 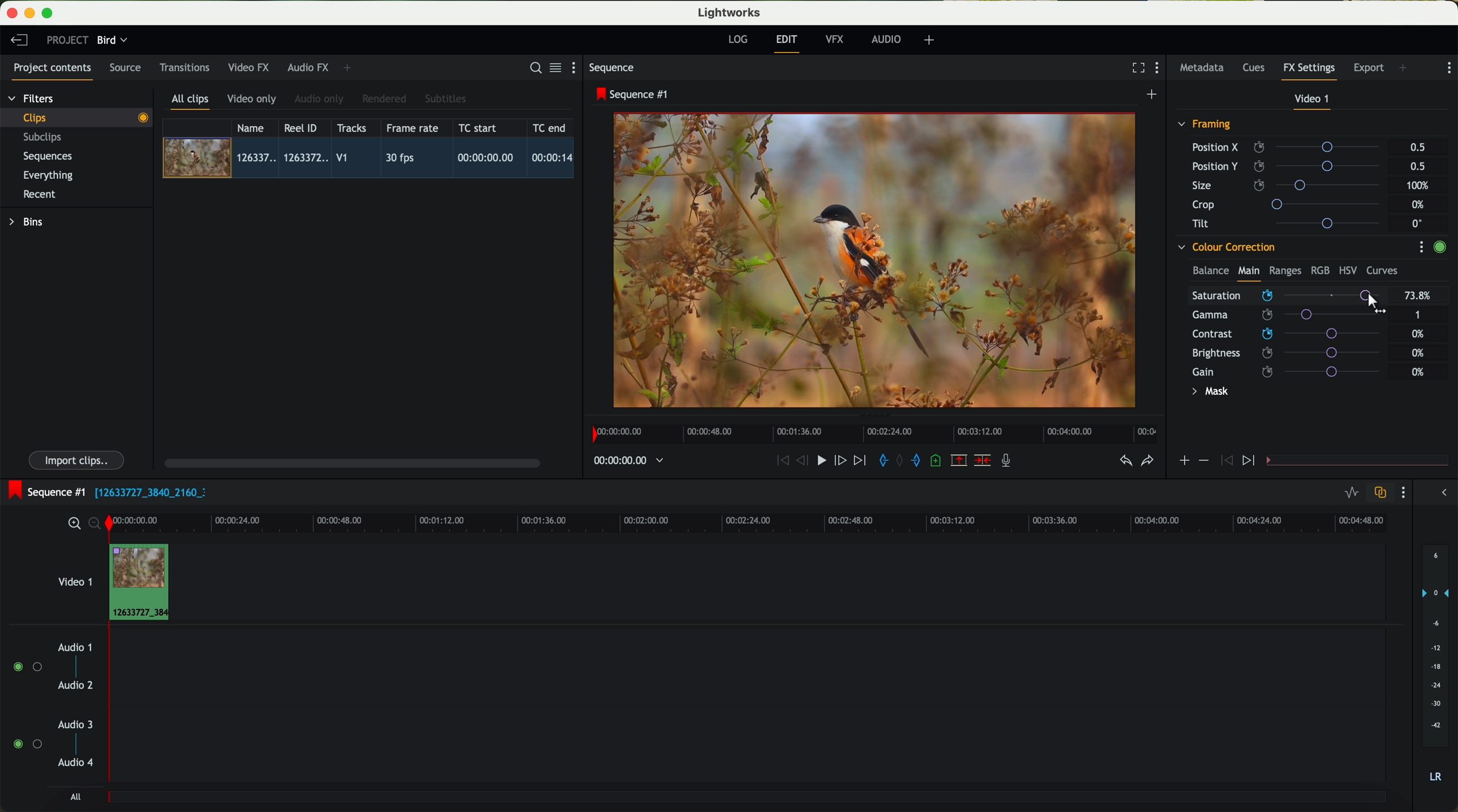 What do you see at coordinates (1418, 351) in the screenshot?
I see `0%` at bounding box center [1418, 351].